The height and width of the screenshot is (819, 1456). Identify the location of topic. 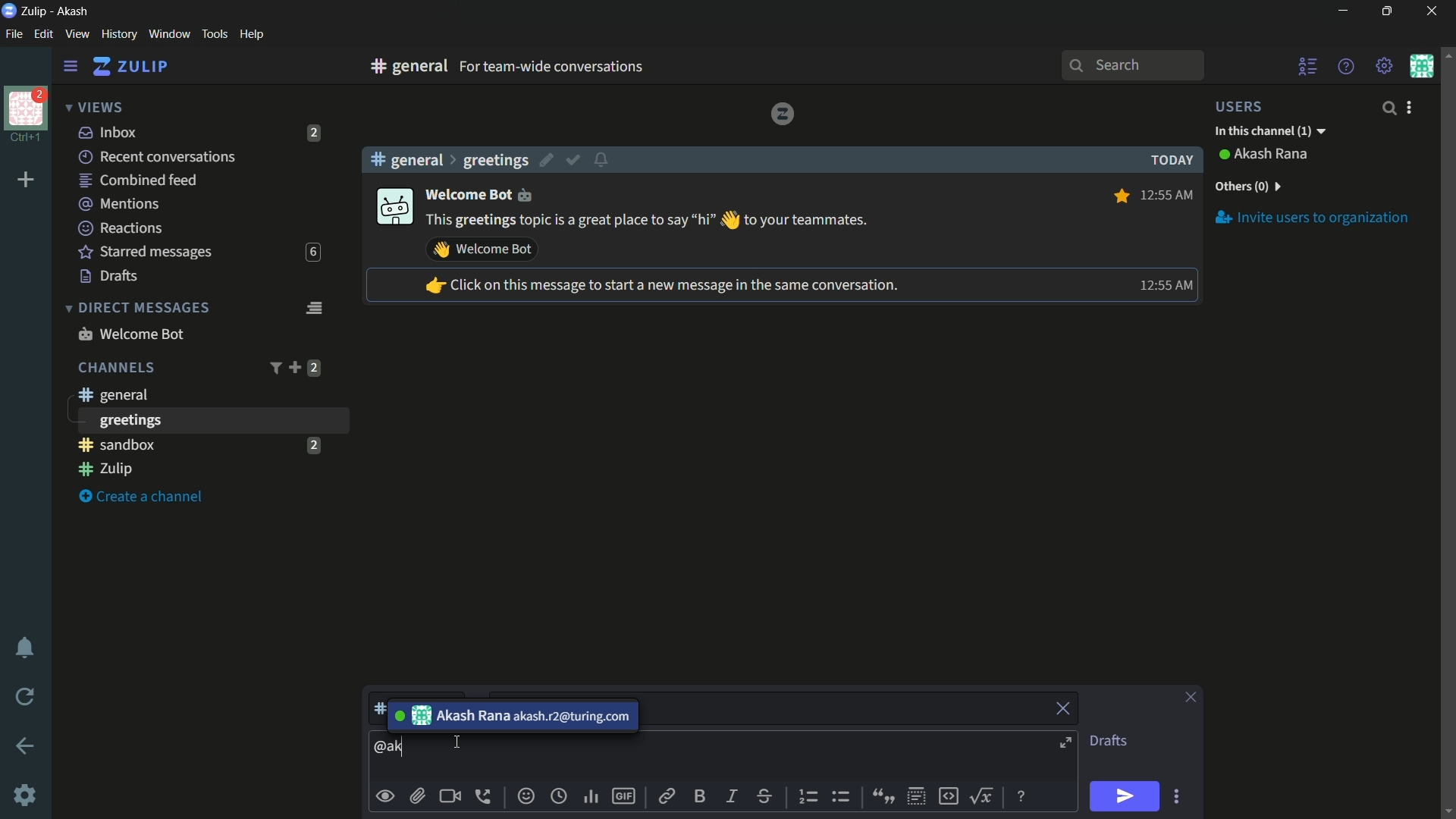
(849, 709).